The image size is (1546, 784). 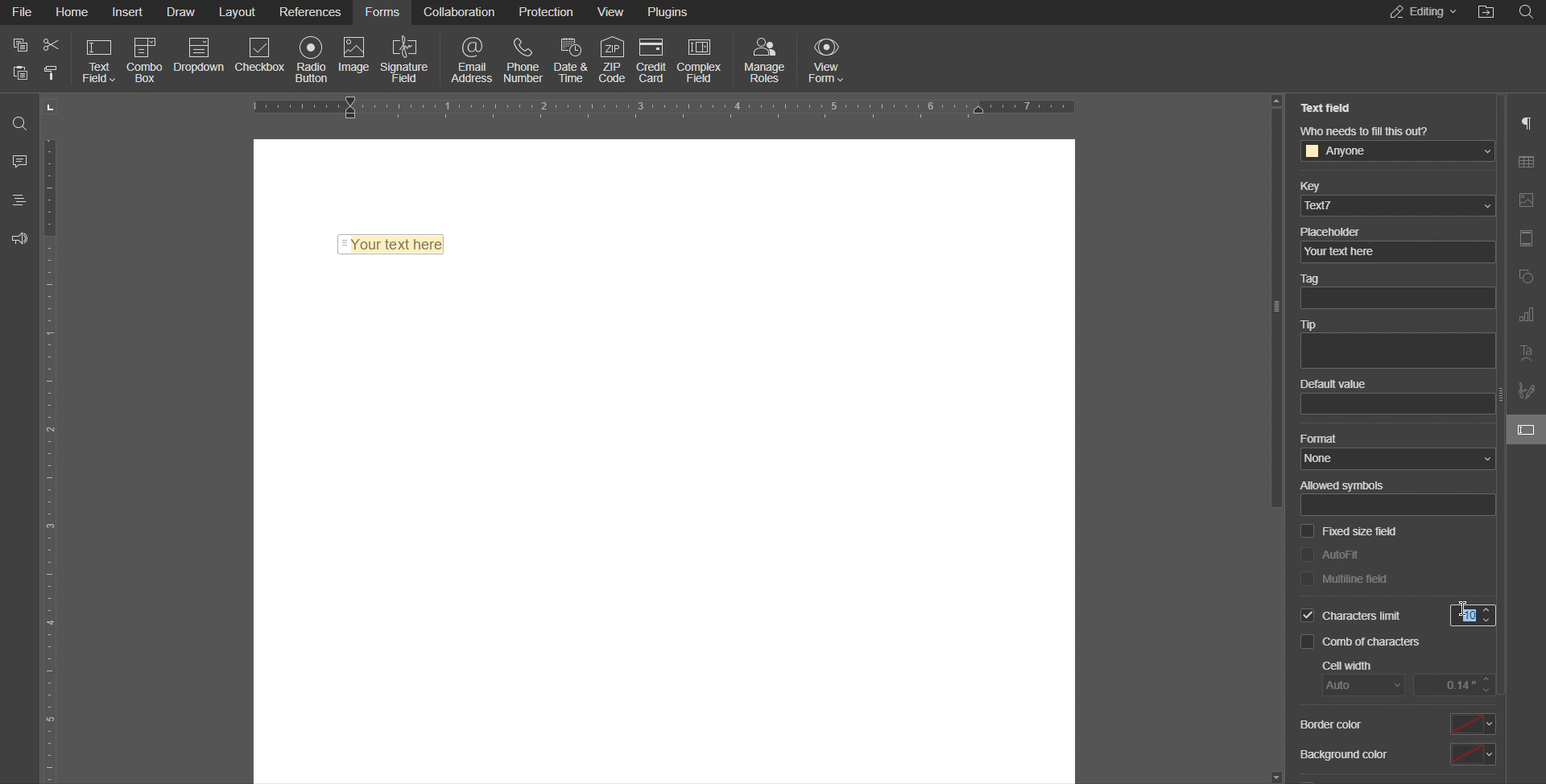 What do you see at coordinates (1395, 196) in the screenshot?
I see `Key` at bounding box center [1395, 196].